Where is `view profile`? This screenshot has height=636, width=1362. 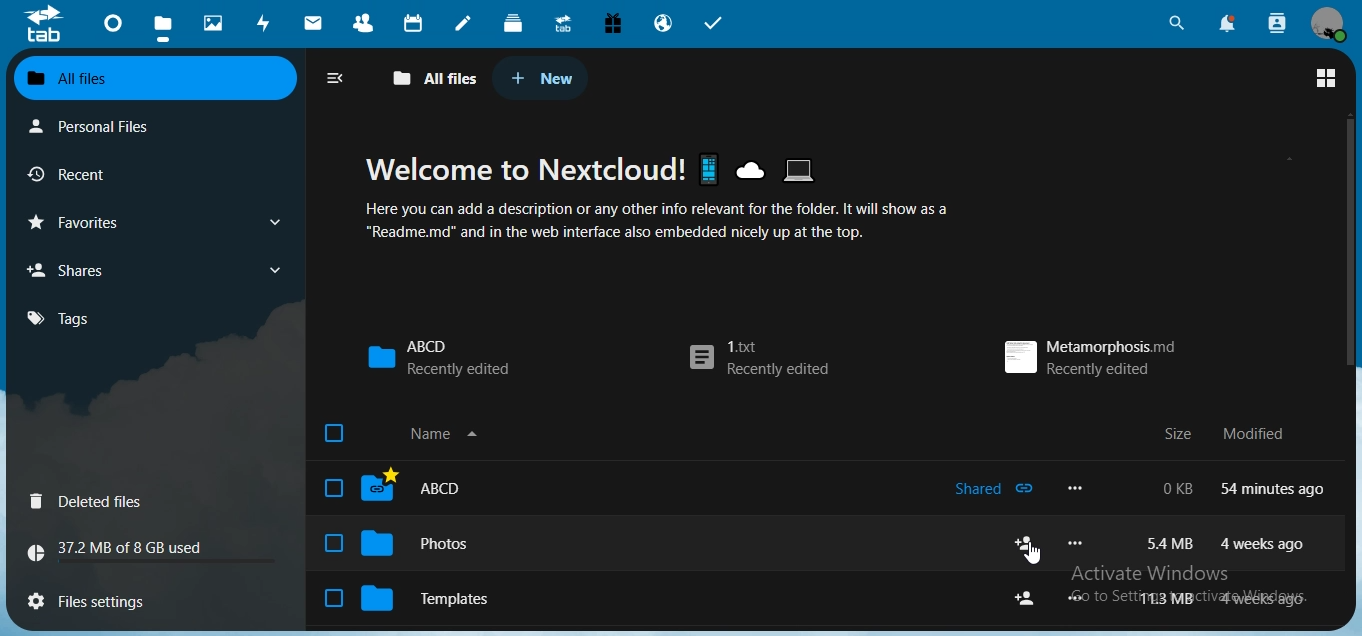 view profile is located at coordinates (1329, 23).